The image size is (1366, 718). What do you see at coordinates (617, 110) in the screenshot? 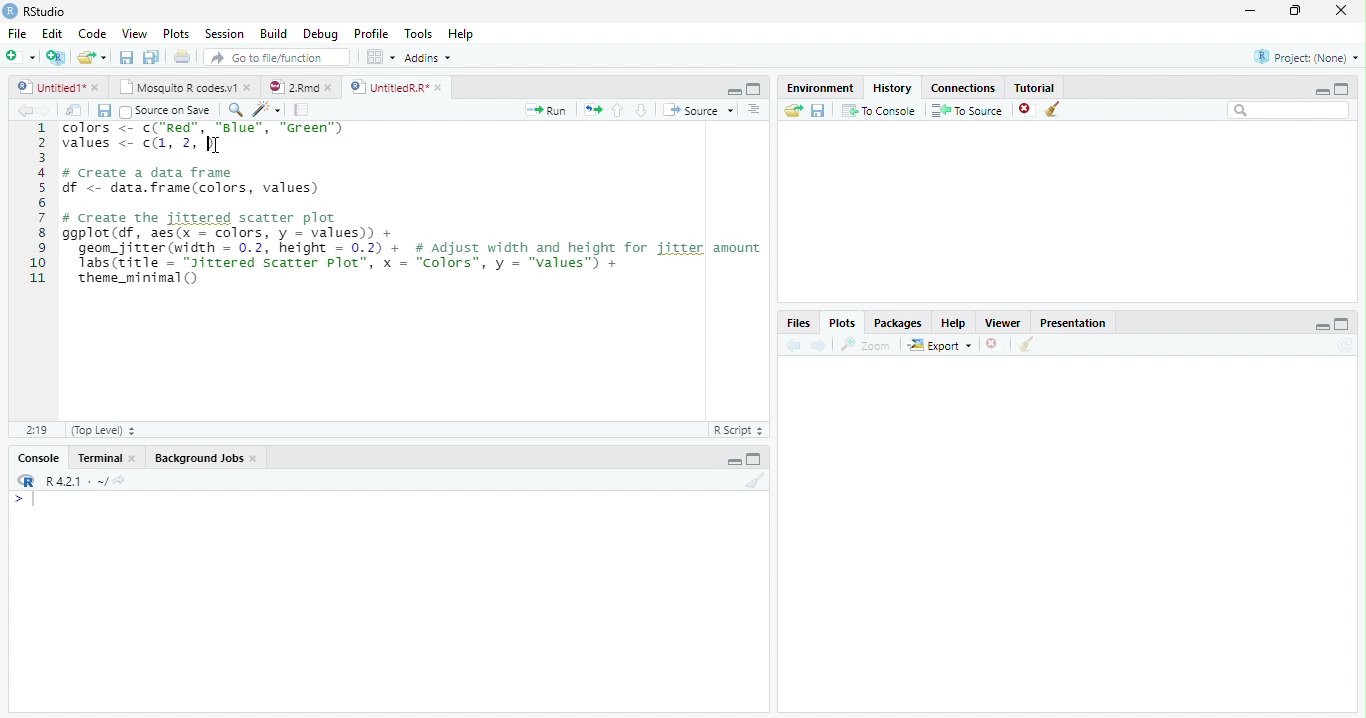
I see `Go to previous section/chunk` at bounding box center [617, 110].